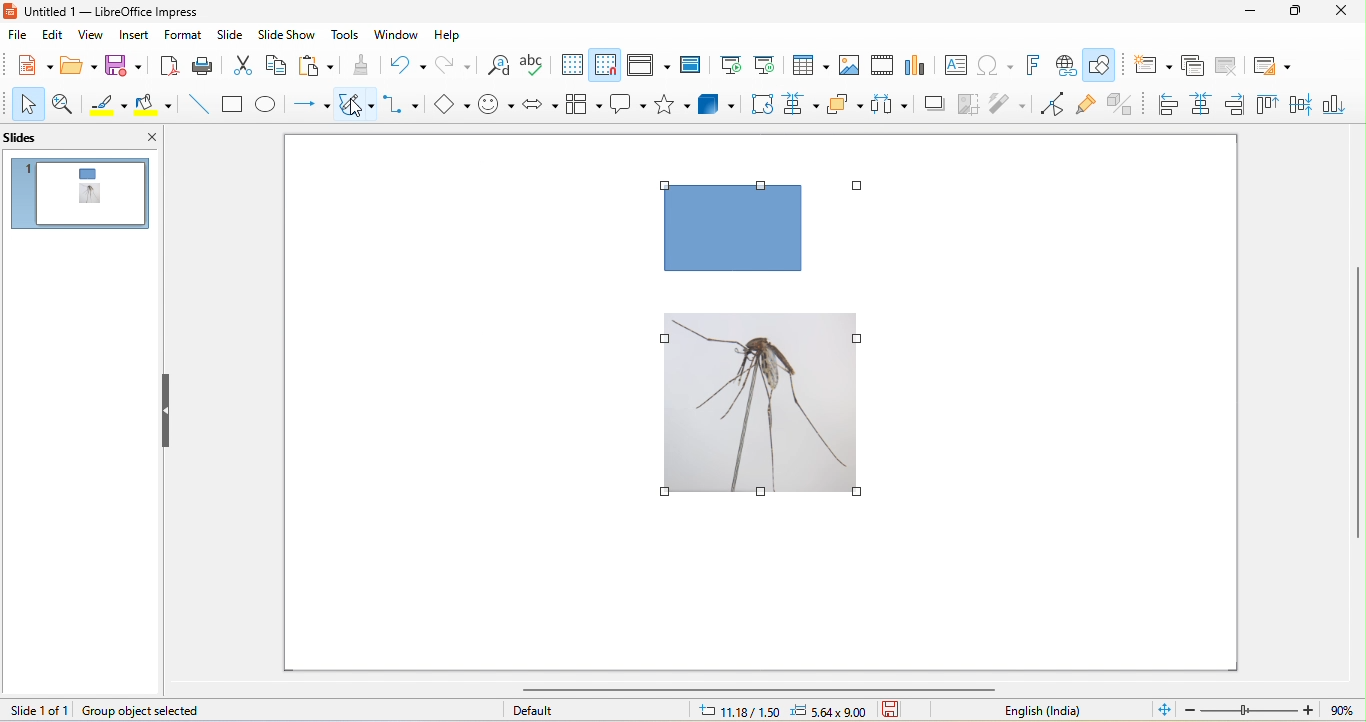  Describe the element at coordinates (1334, 109) in the screenshot. I see `bottom` at that location.